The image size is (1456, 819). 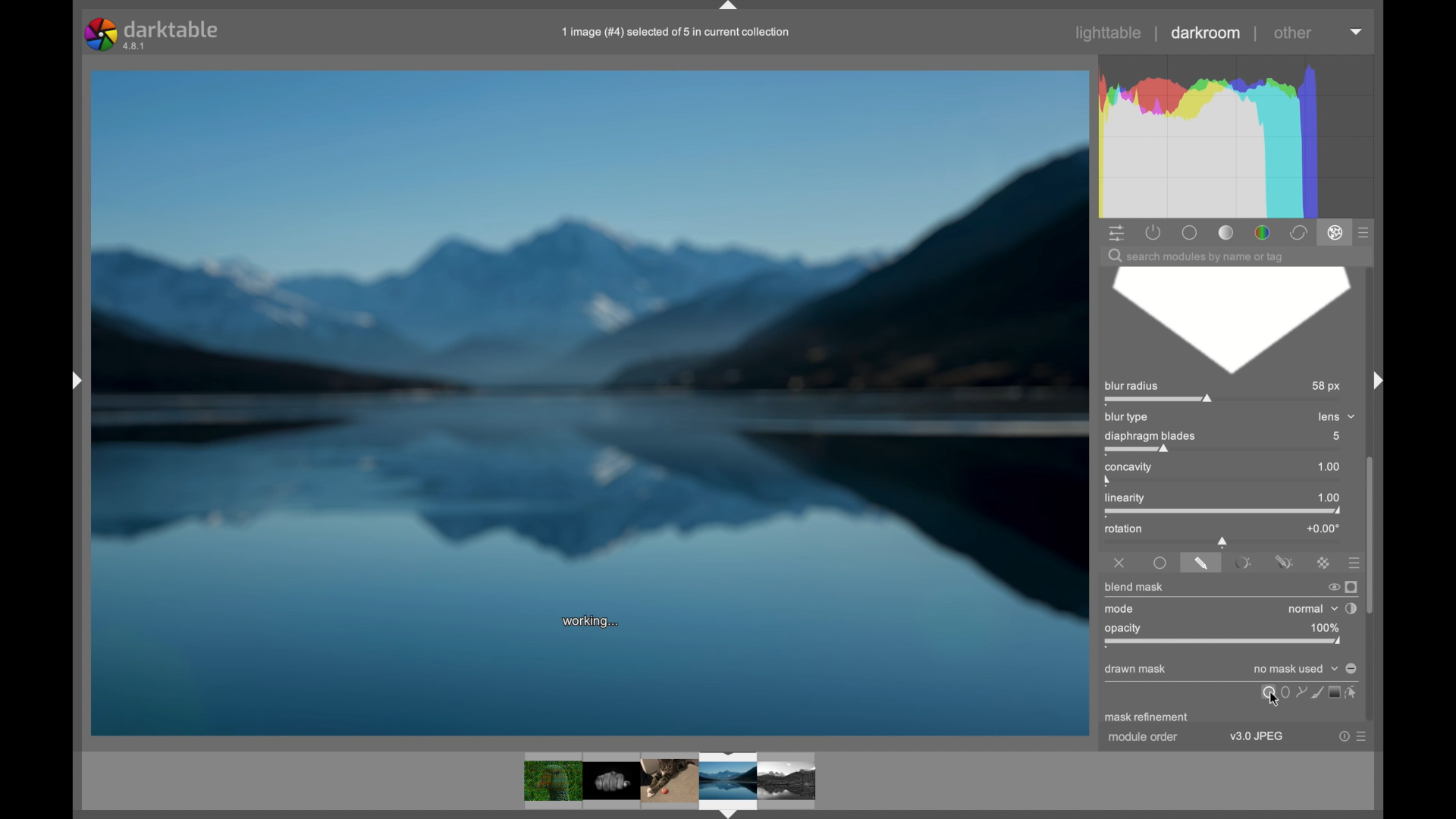 I want to click on correct, so click(x=1298, y=233).